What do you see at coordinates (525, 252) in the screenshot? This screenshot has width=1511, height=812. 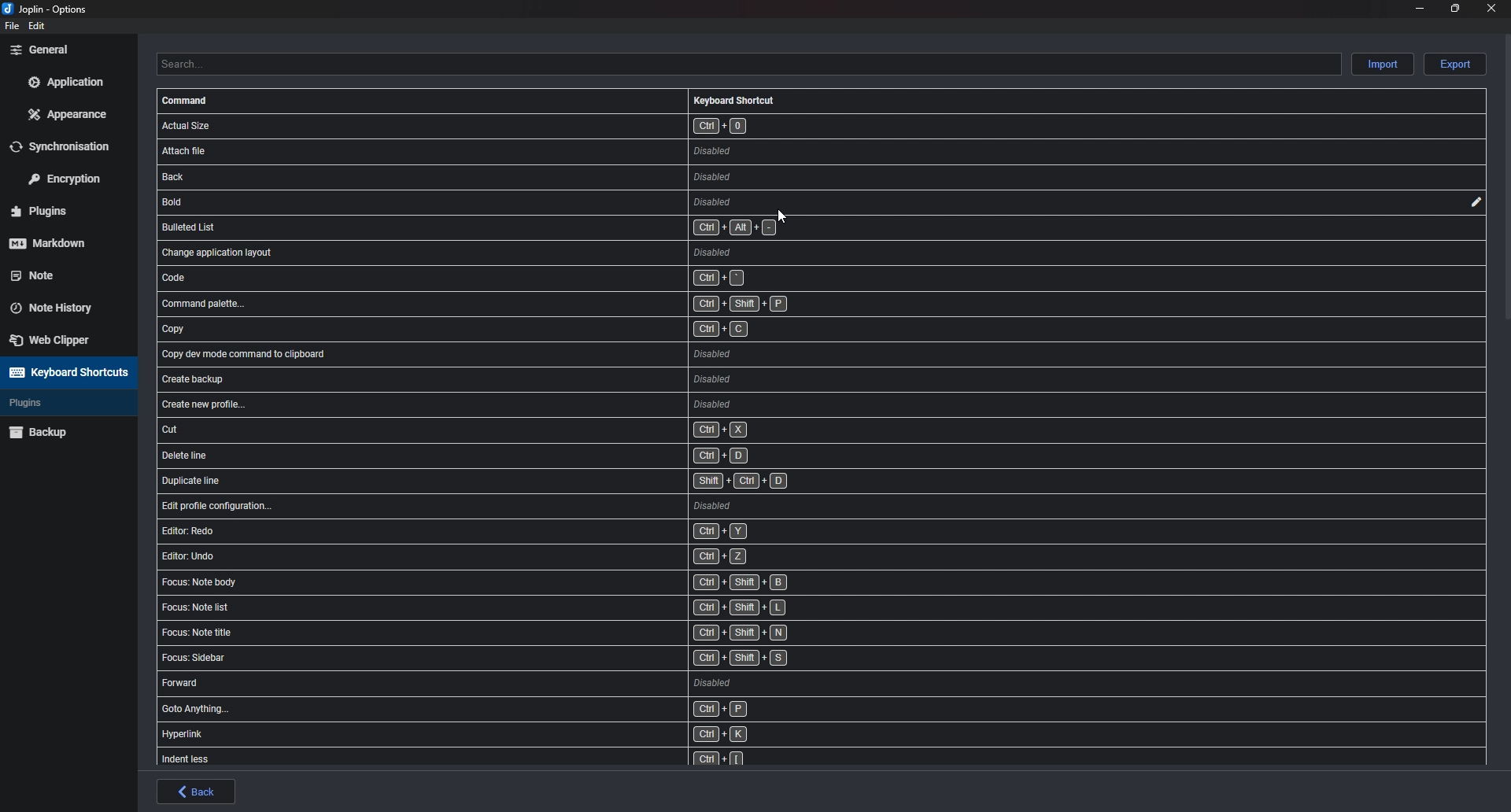 I see `shortcut` at bounding box center [525, 252].